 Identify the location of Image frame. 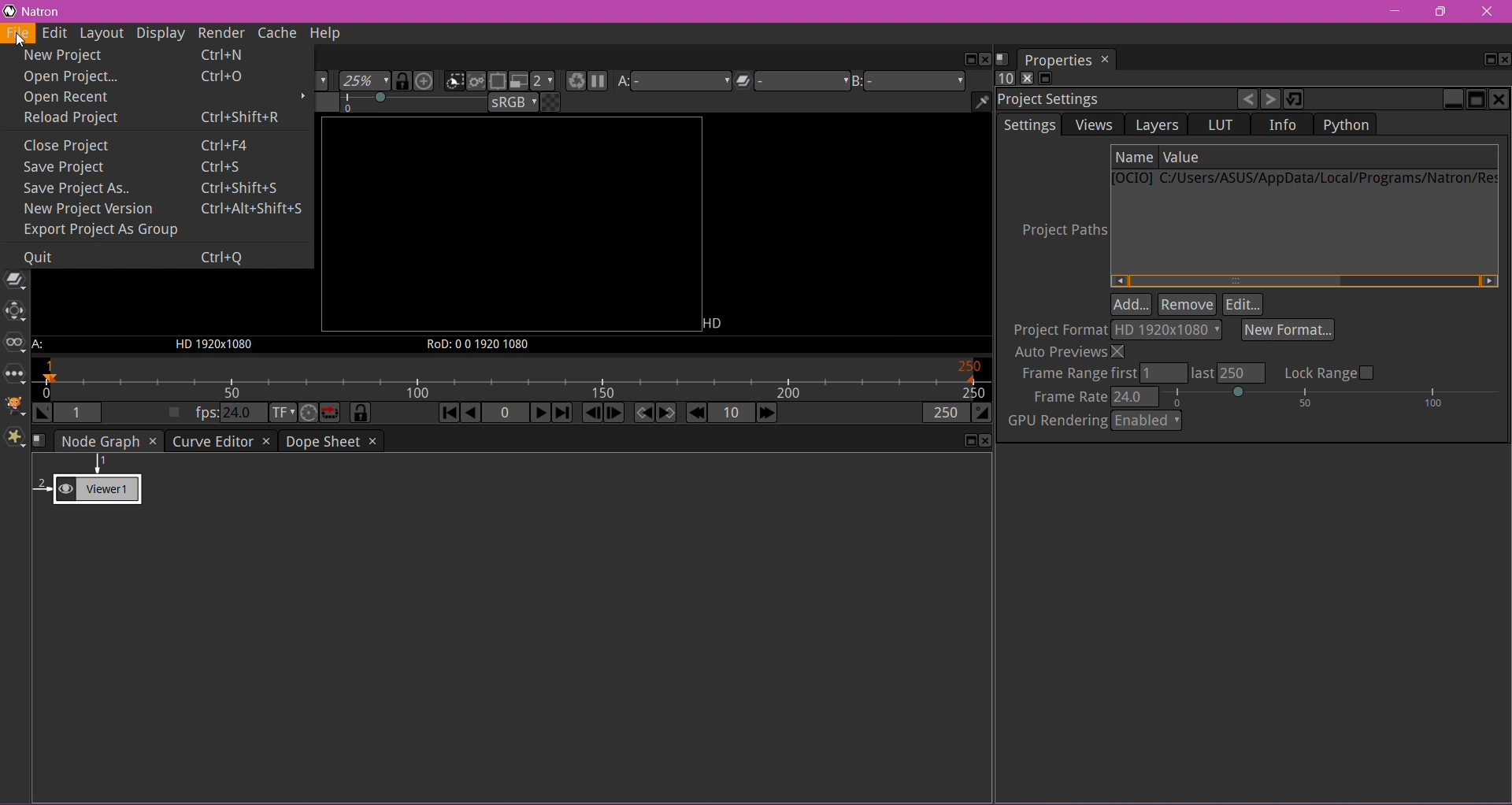
(510, 225).